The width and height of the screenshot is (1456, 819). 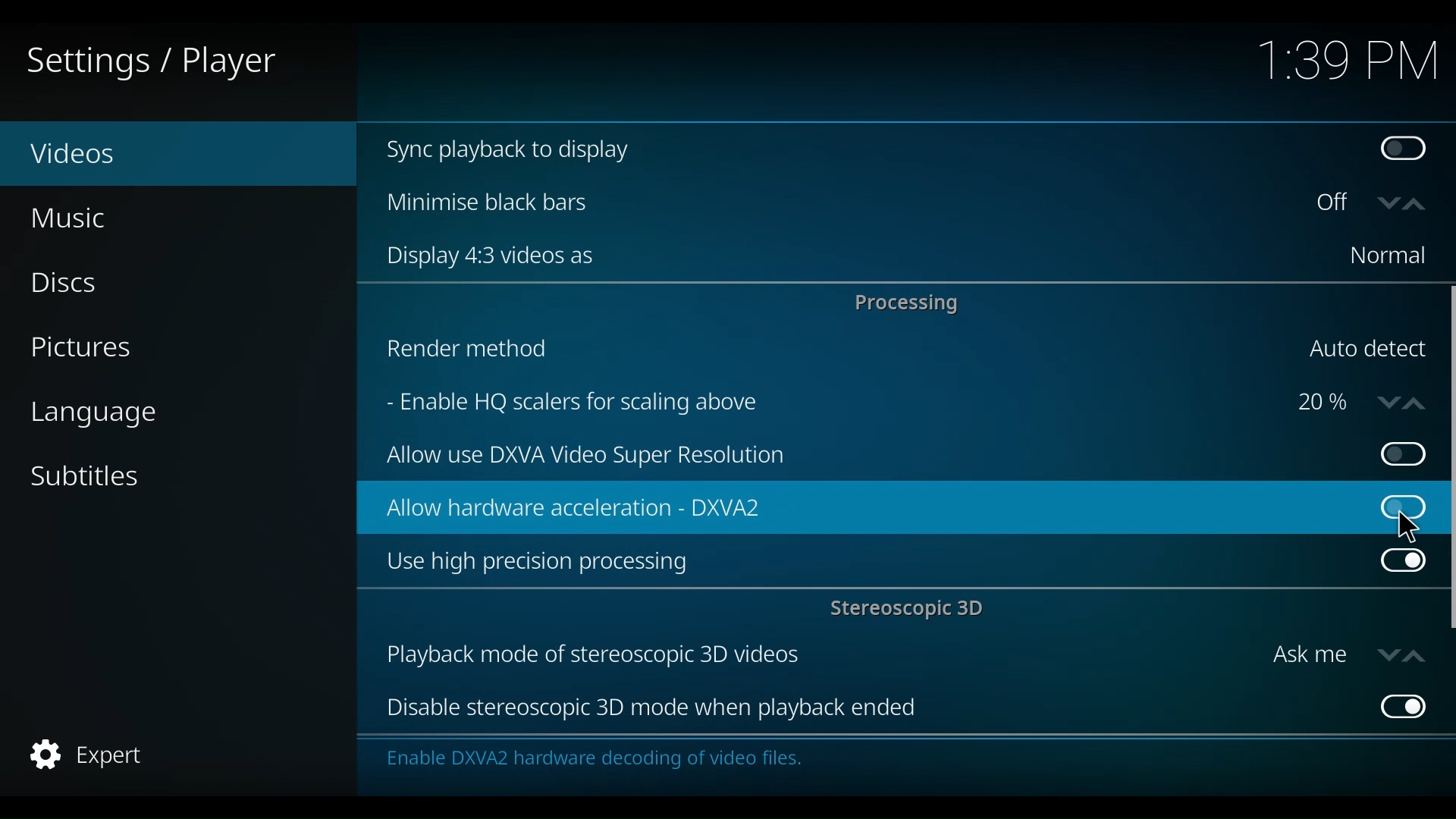 I want to click on Enable DXVA2 hardware decoding of video files, so click(x=591, y=762).